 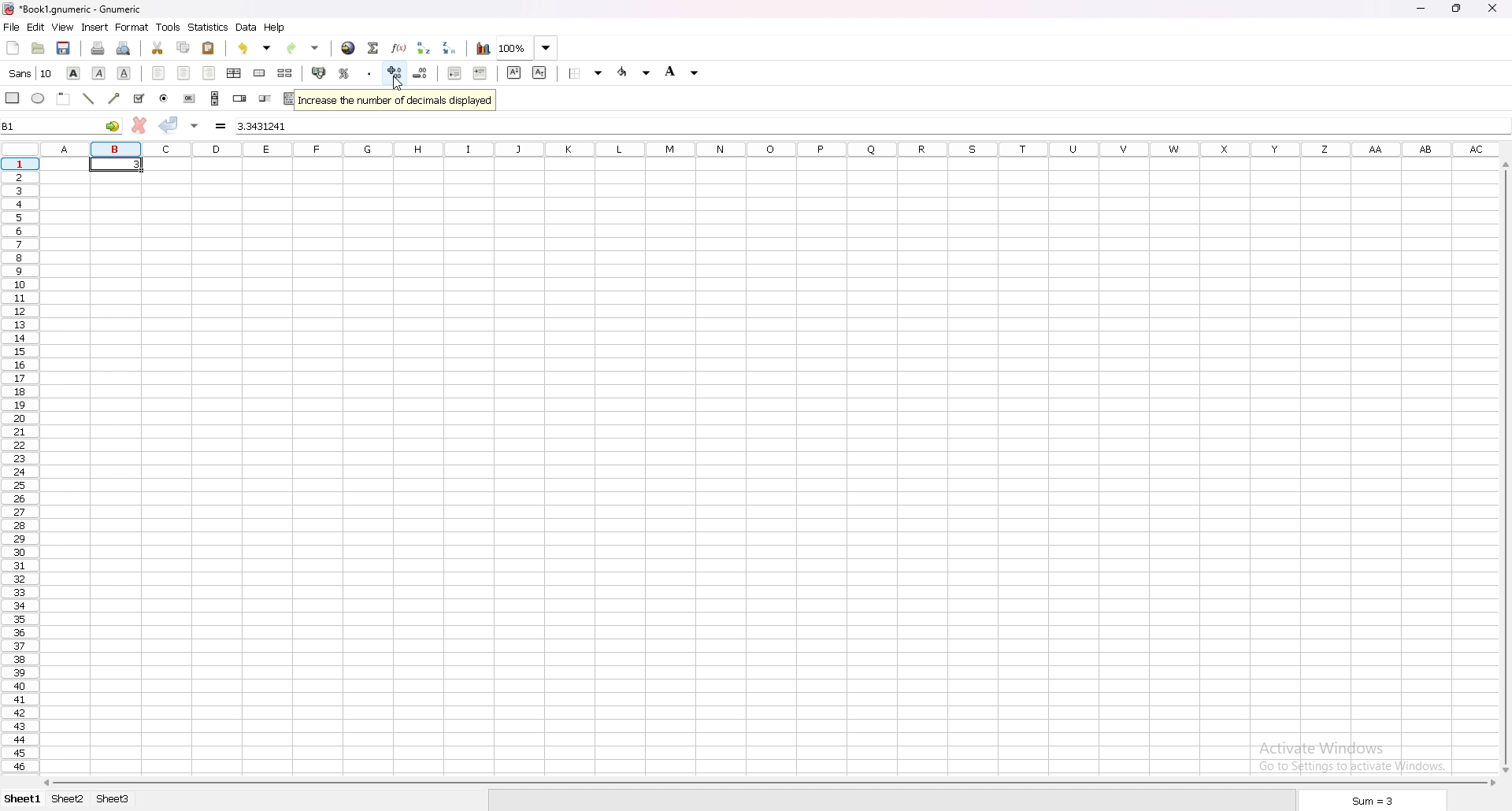 I want to click on statistics, so click(x=209, y=27).